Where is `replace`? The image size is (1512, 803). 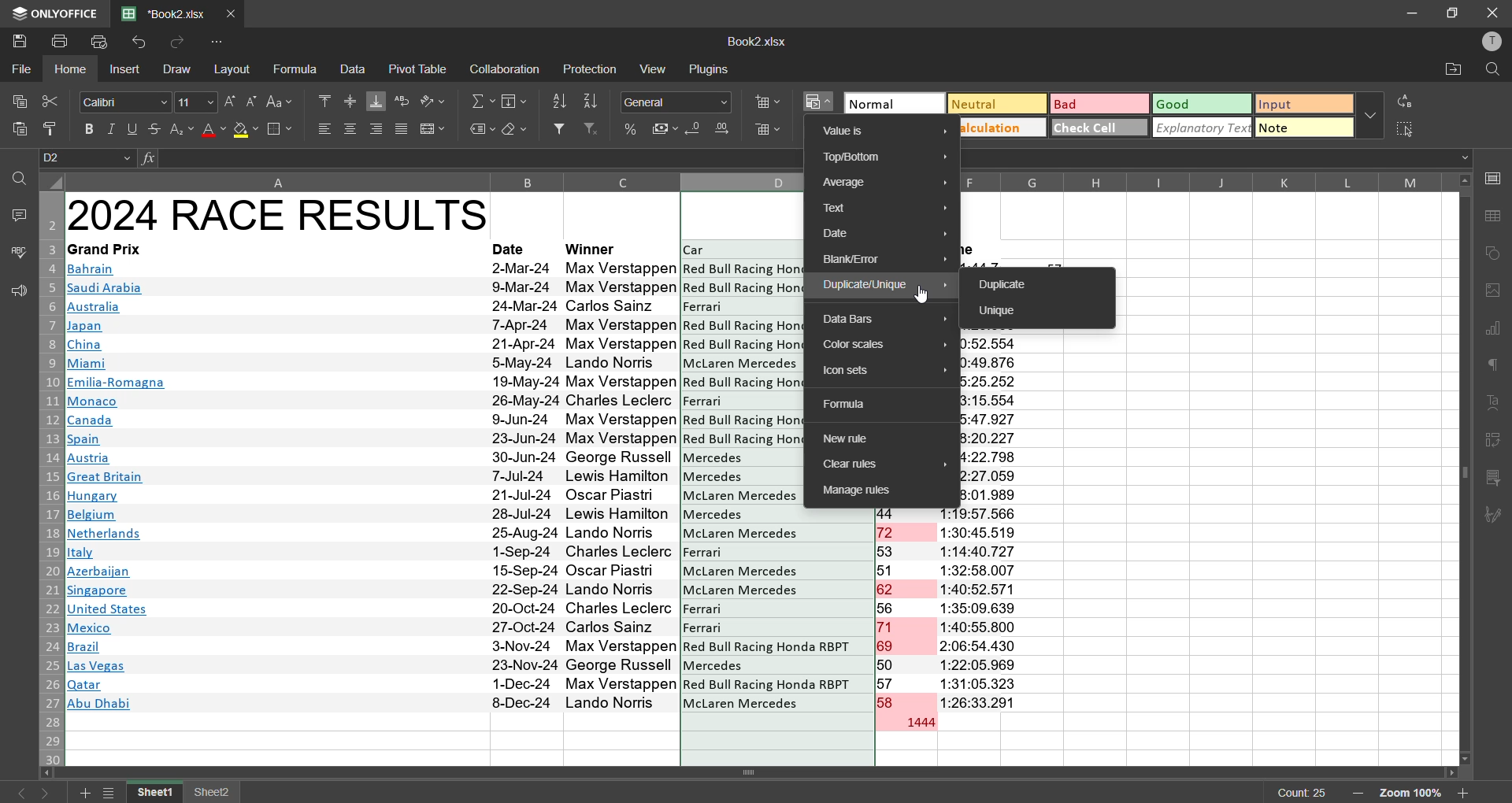
replace is located at coordinates (1408, 101).